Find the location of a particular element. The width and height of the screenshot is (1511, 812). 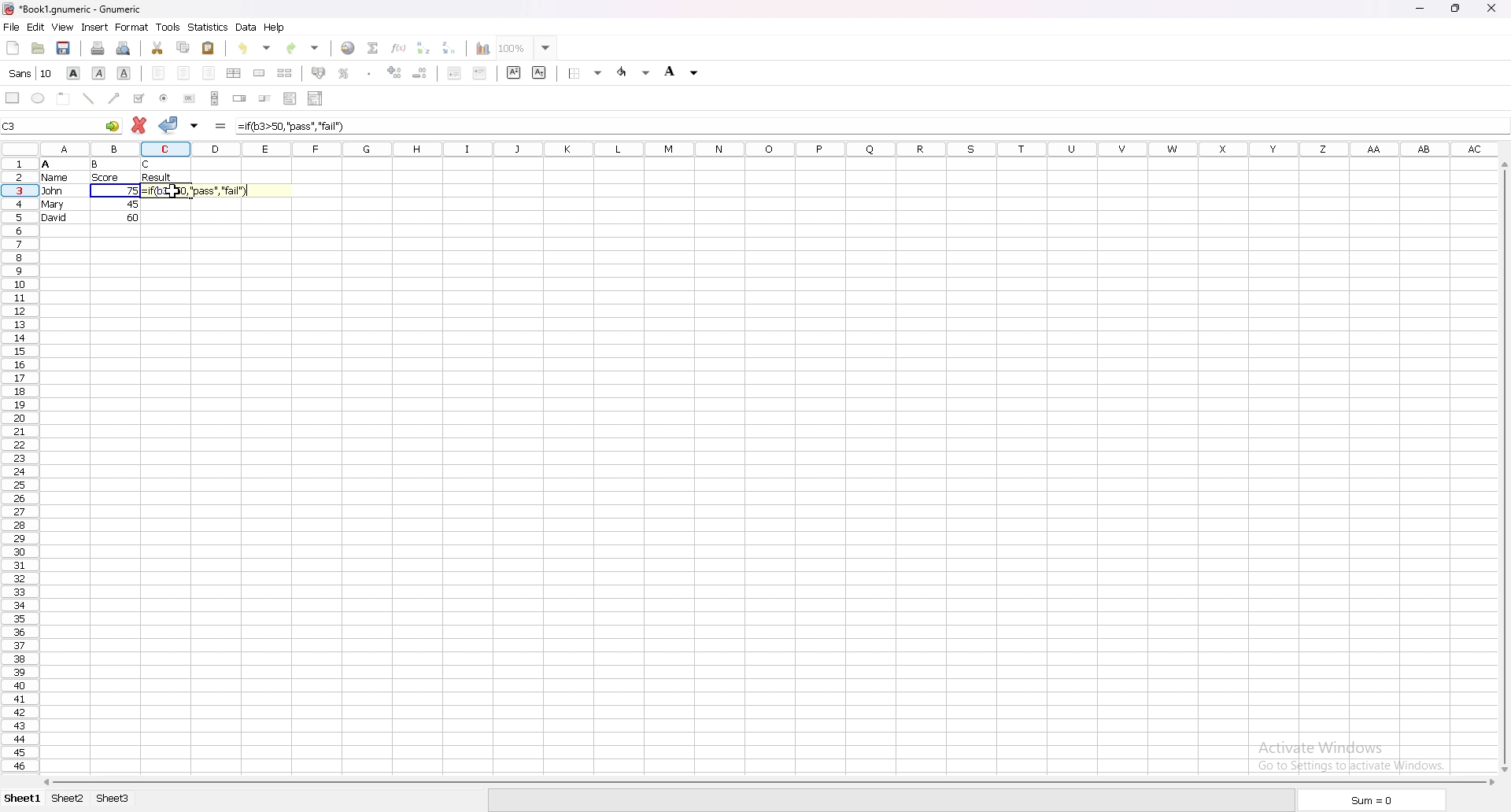

arrowed line is located at coordinates (116, 98).